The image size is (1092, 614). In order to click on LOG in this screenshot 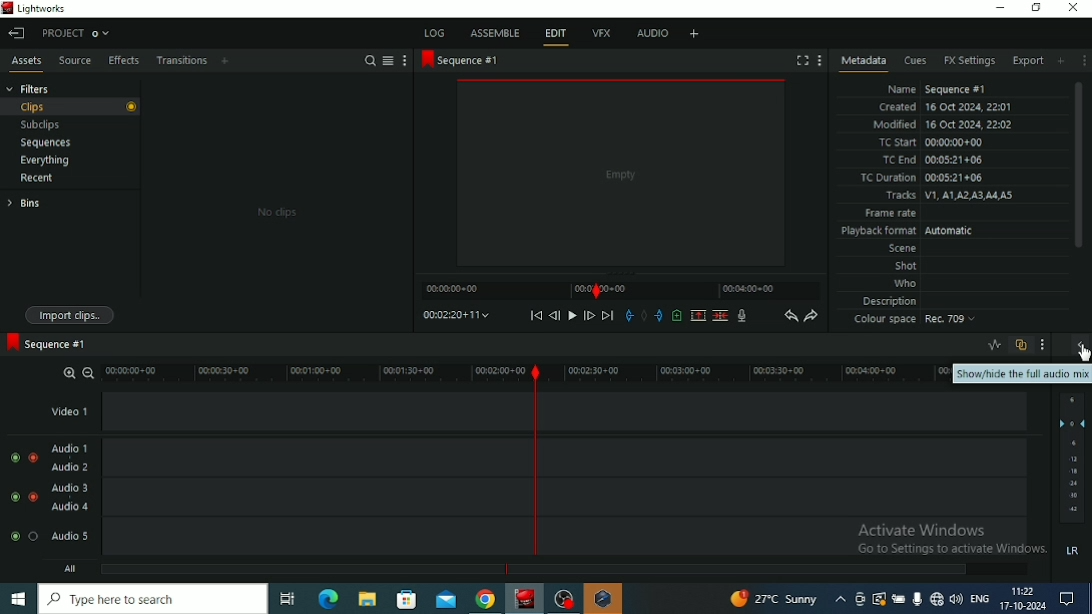, I will do `click(435, 32)`.